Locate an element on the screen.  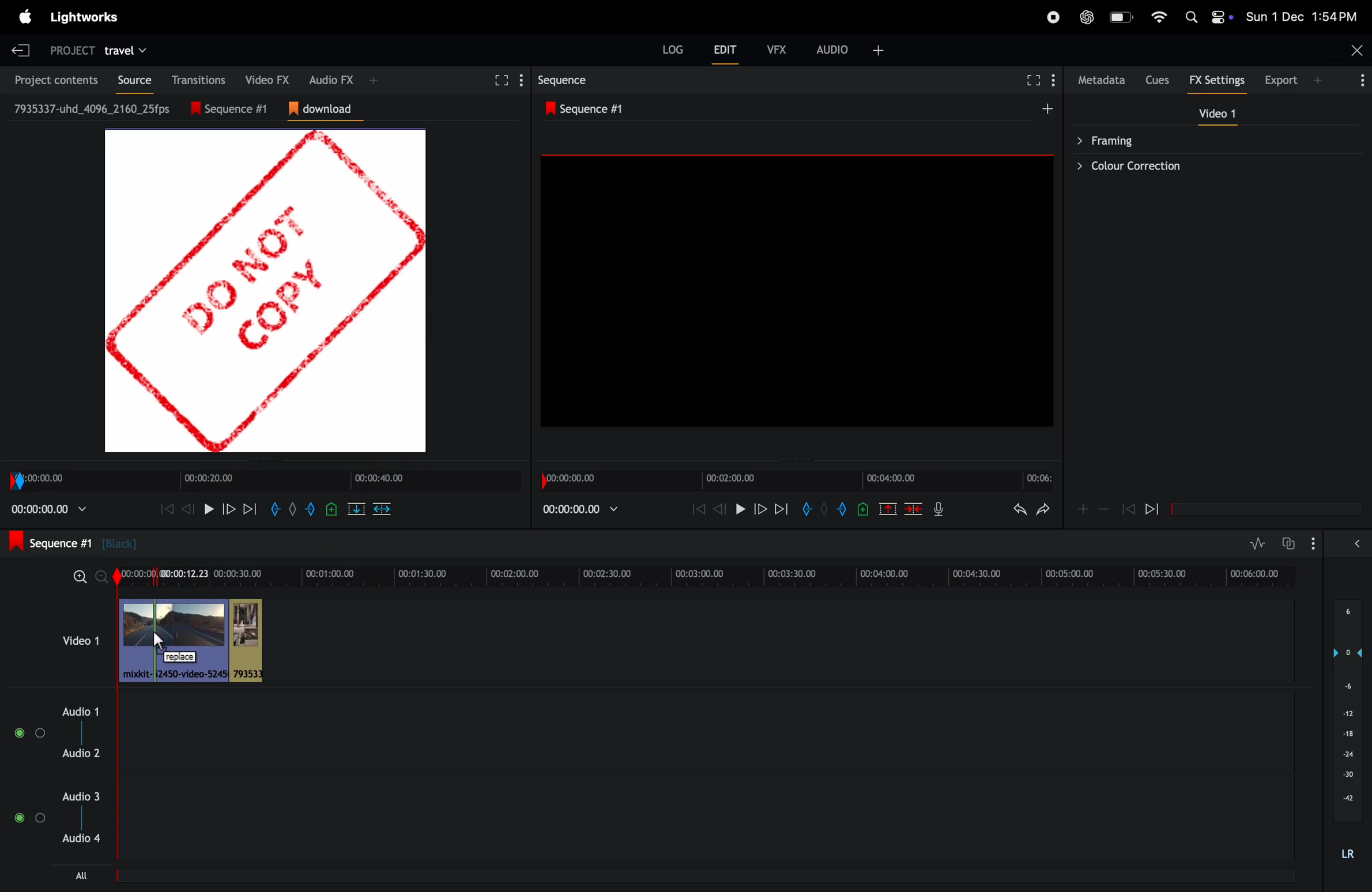
log is located at coordinates (673, 49).